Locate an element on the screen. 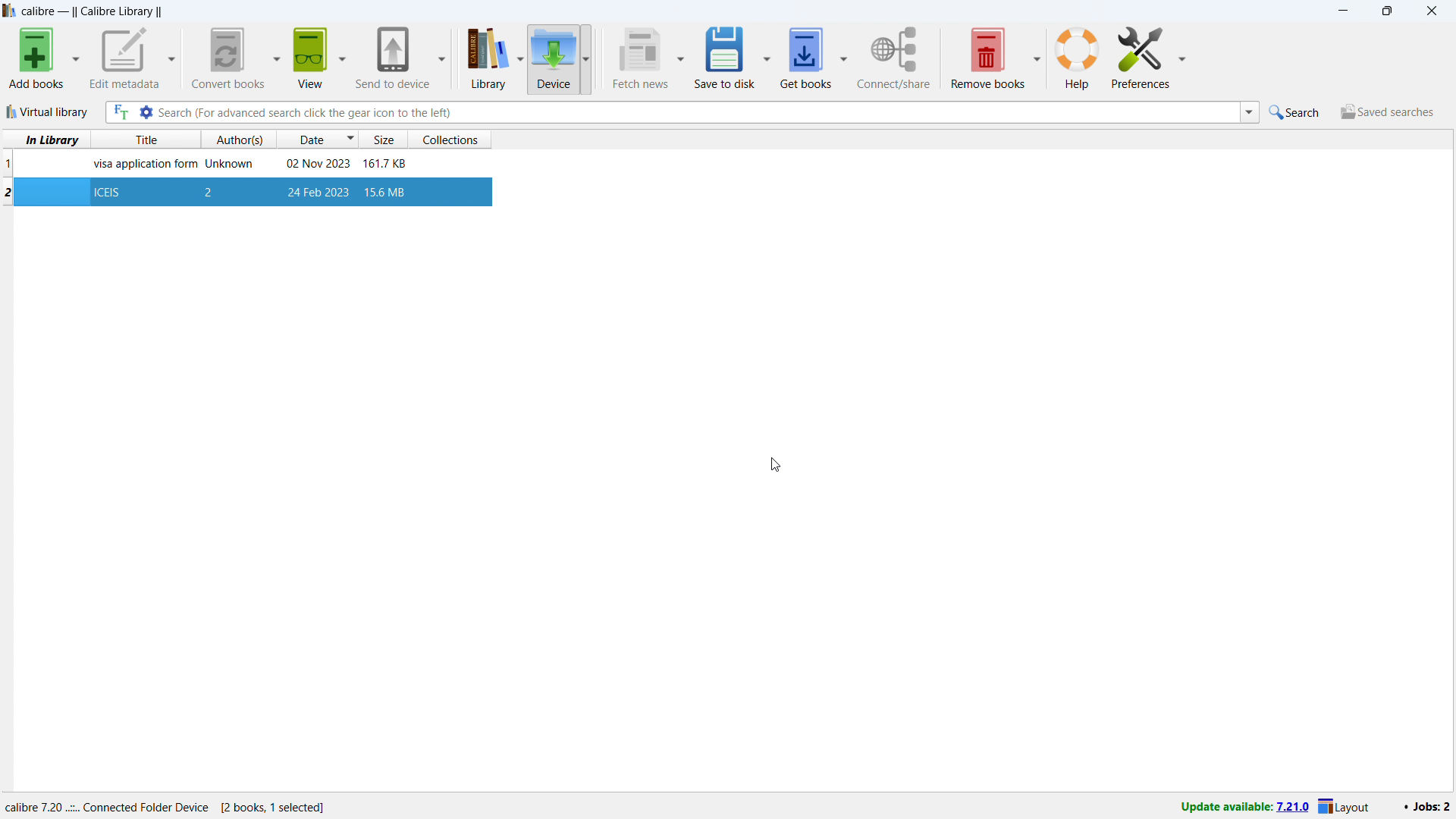  preferences is located at coordinates (1141, 55).